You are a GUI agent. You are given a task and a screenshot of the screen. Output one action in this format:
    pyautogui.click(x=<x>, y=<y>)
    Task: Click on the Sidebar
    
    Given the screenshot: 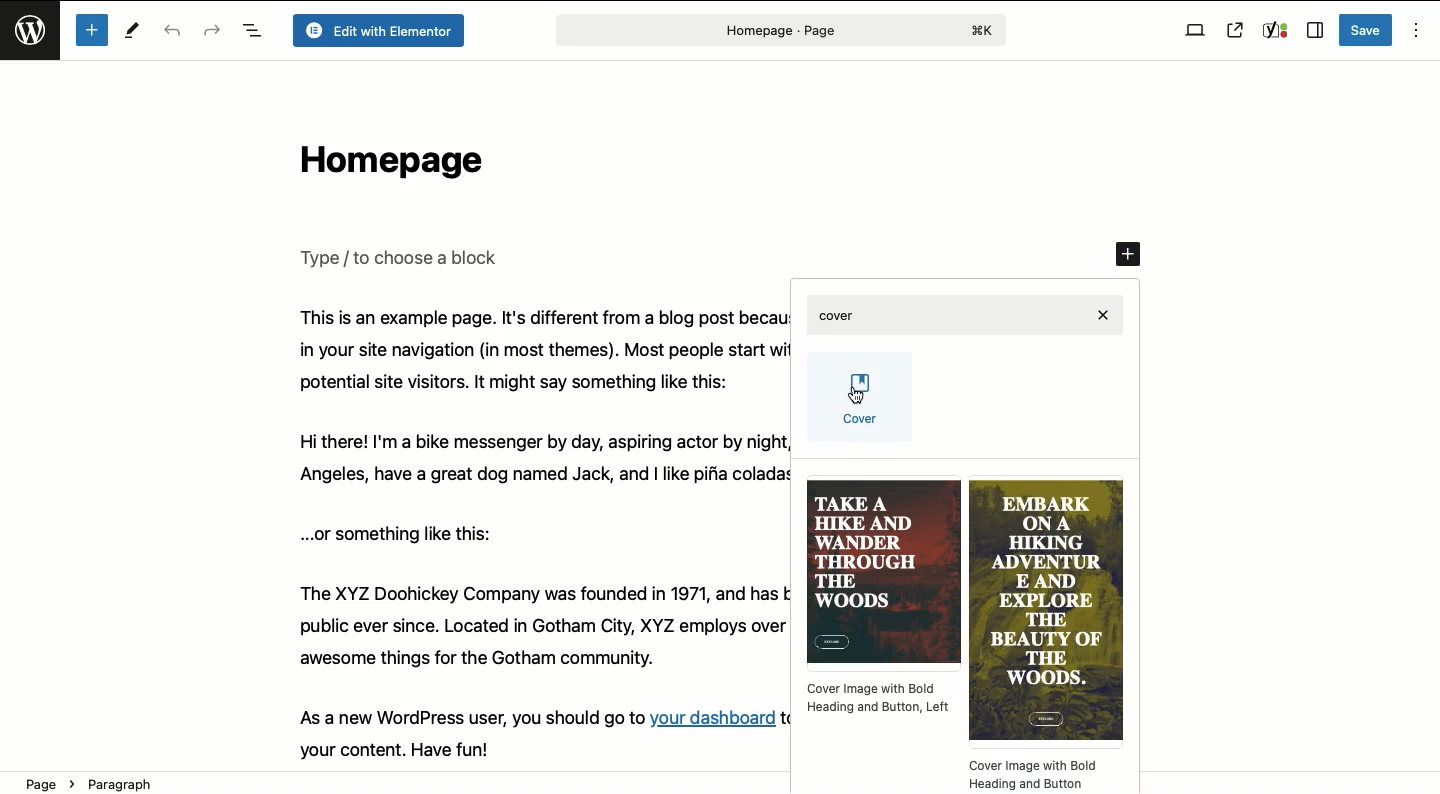 What is the action you would take?
    pyautogui.click(x=1314, y=31)
    